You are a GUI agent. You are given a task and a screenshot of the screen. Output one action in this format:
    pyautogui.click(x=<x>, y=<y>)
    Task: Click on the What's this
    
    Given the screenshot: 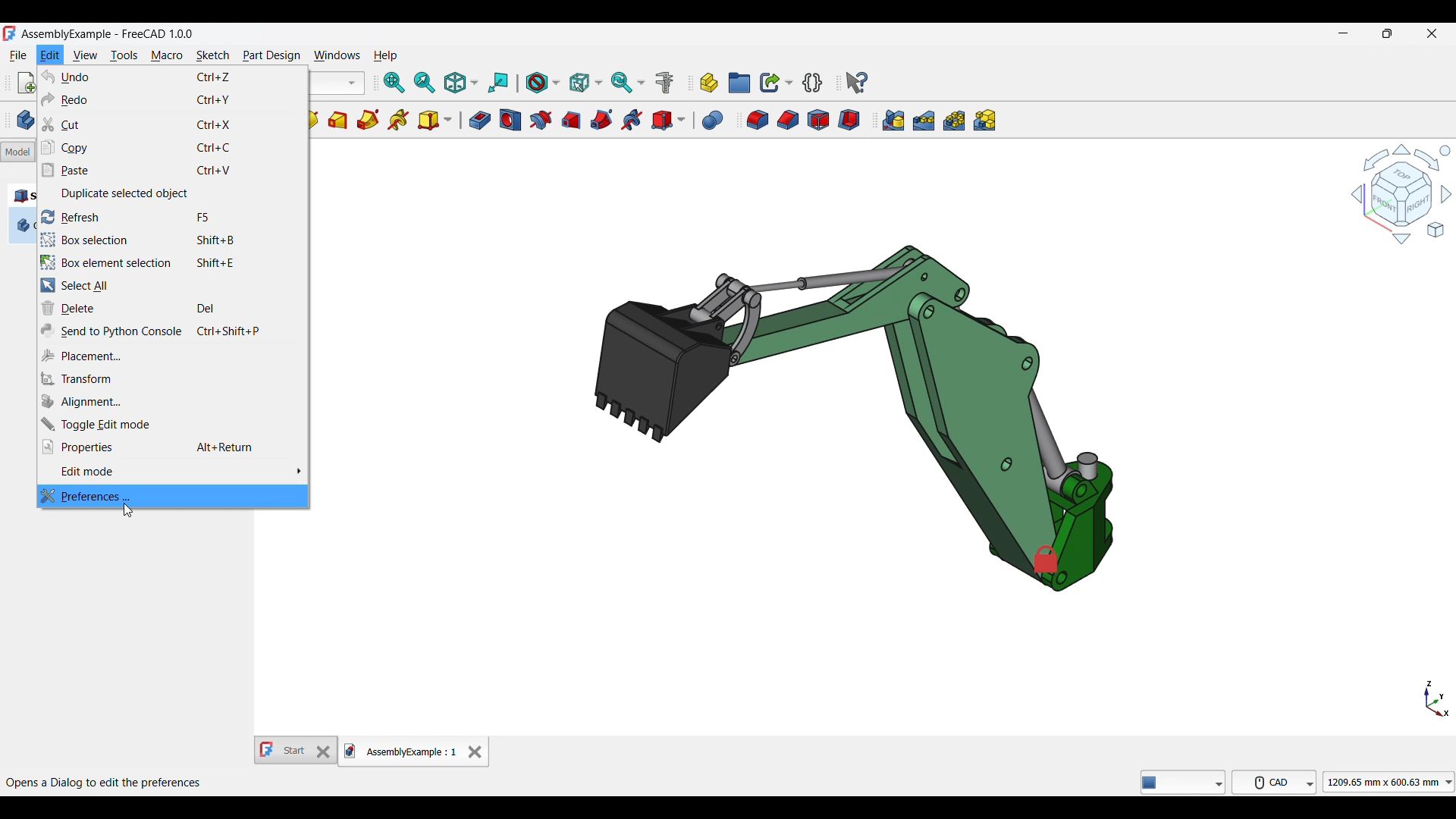 What is the action you would take?
    pyautogui.click(x=857, y=83)
    